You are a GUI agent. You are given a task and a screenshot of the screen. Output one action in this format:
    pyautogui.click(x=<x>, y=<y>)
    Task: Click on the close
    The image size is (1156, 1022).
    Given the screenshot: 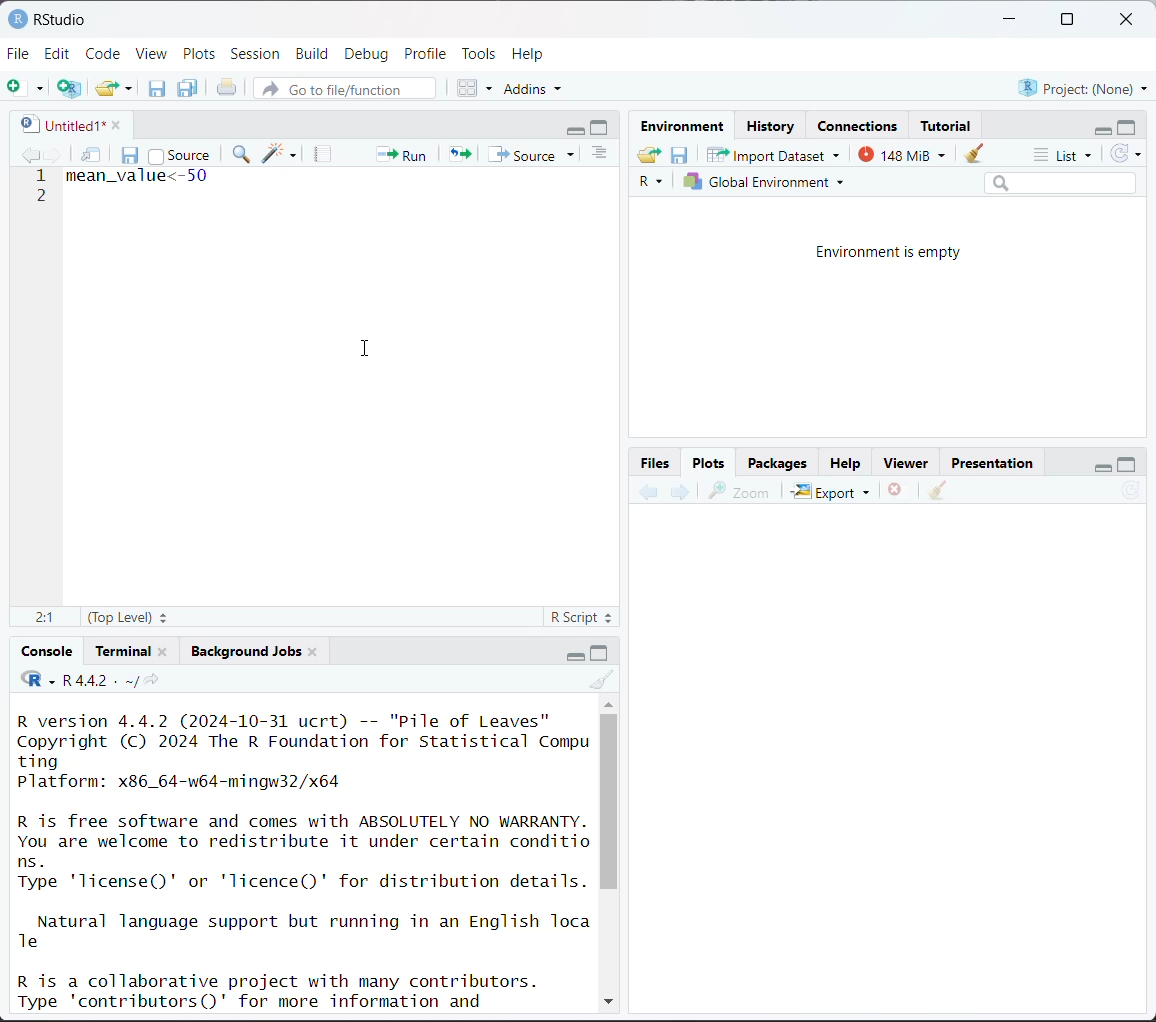 What is the action you would take?
    pyautogui.click(x=1130, y=20)
    